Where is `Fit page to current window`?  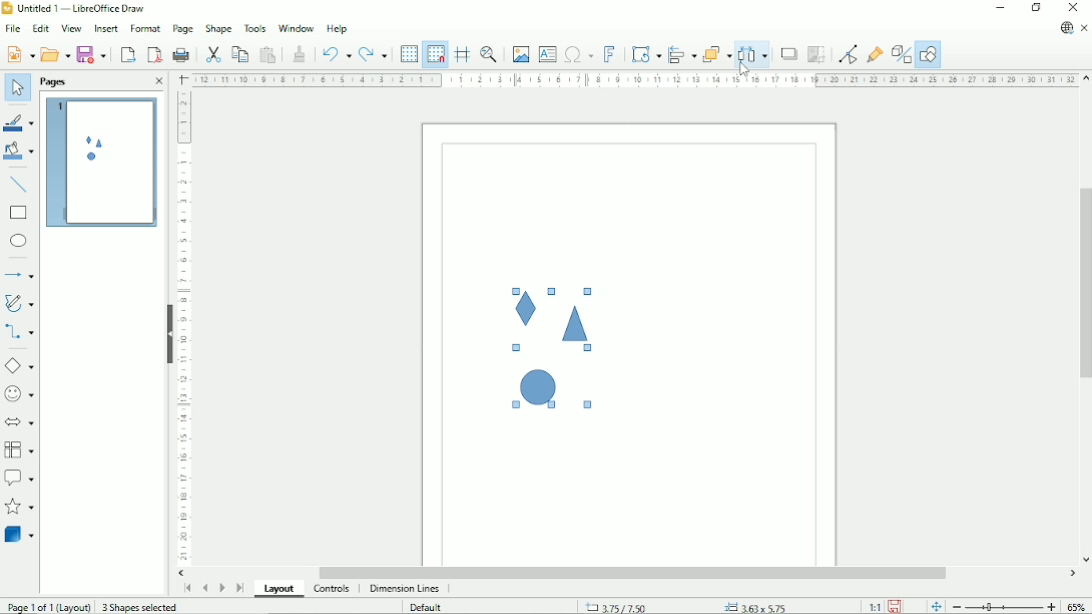 Fit page to current window is located at coordinates (934, 606).